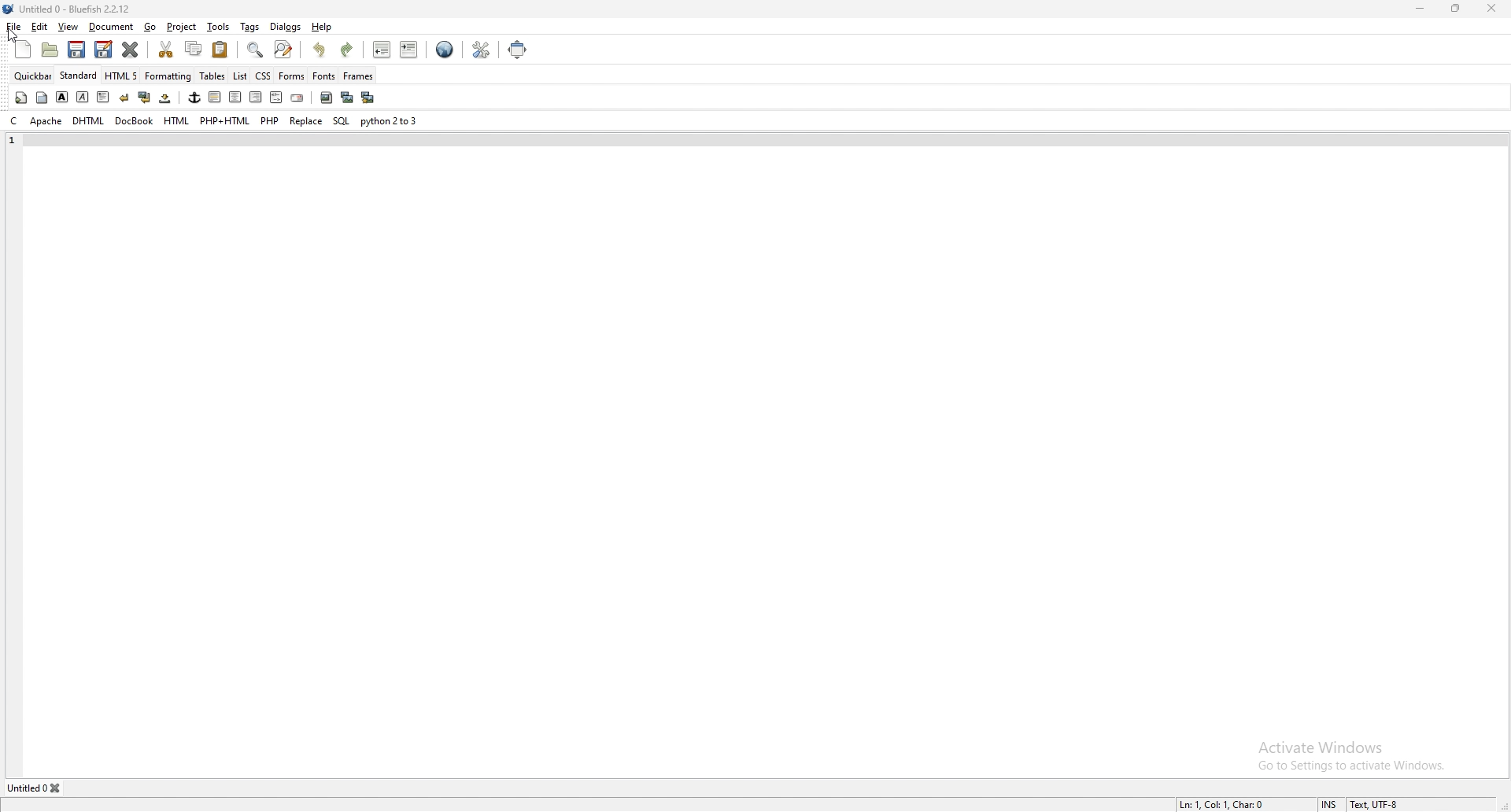 This screenshot has width=1511, height=812. Describe the element at coordinates (168, 76) in the screenshot. I see `formatting` at that location.